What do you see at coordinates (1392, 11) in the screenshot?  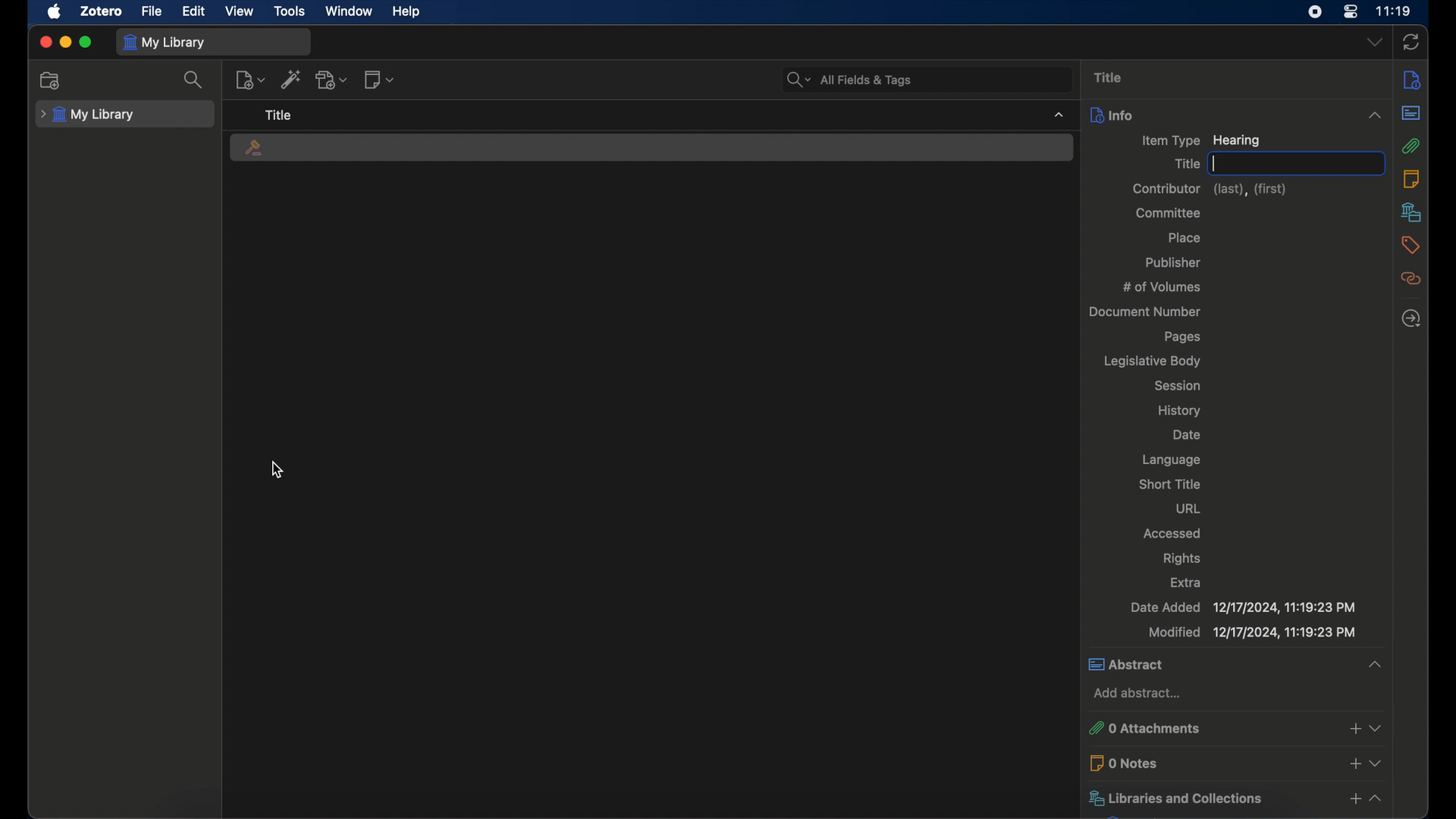 I see `time` at bounding box center [1392, 11].